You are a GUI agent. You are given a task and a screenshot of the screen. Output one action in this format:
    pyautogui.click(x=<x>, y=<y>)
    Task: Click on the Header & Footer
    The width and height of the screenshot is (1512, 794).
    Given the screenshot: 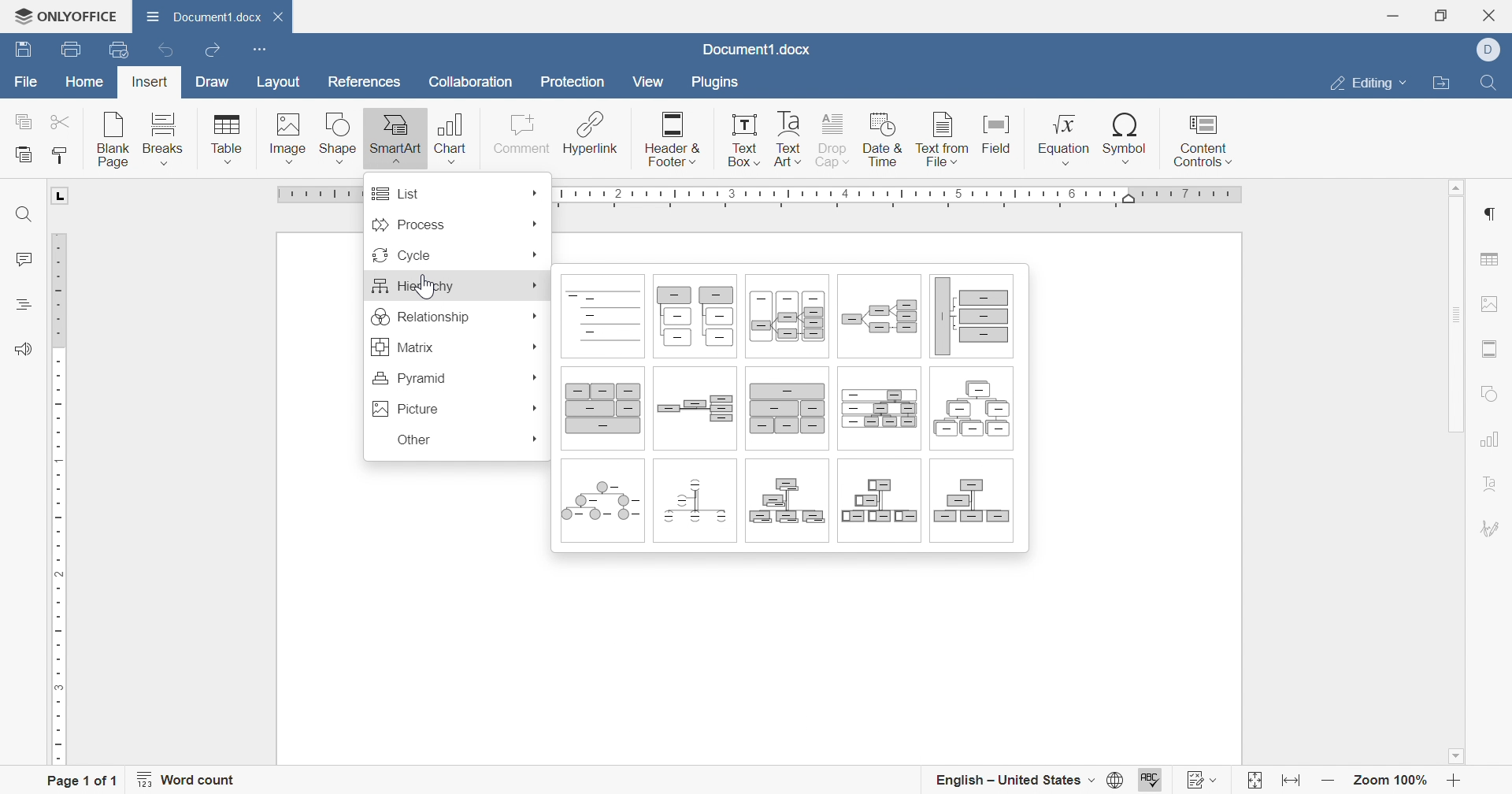 What is the action you would take?
    pyautogui.click(x=673, y=140)
    